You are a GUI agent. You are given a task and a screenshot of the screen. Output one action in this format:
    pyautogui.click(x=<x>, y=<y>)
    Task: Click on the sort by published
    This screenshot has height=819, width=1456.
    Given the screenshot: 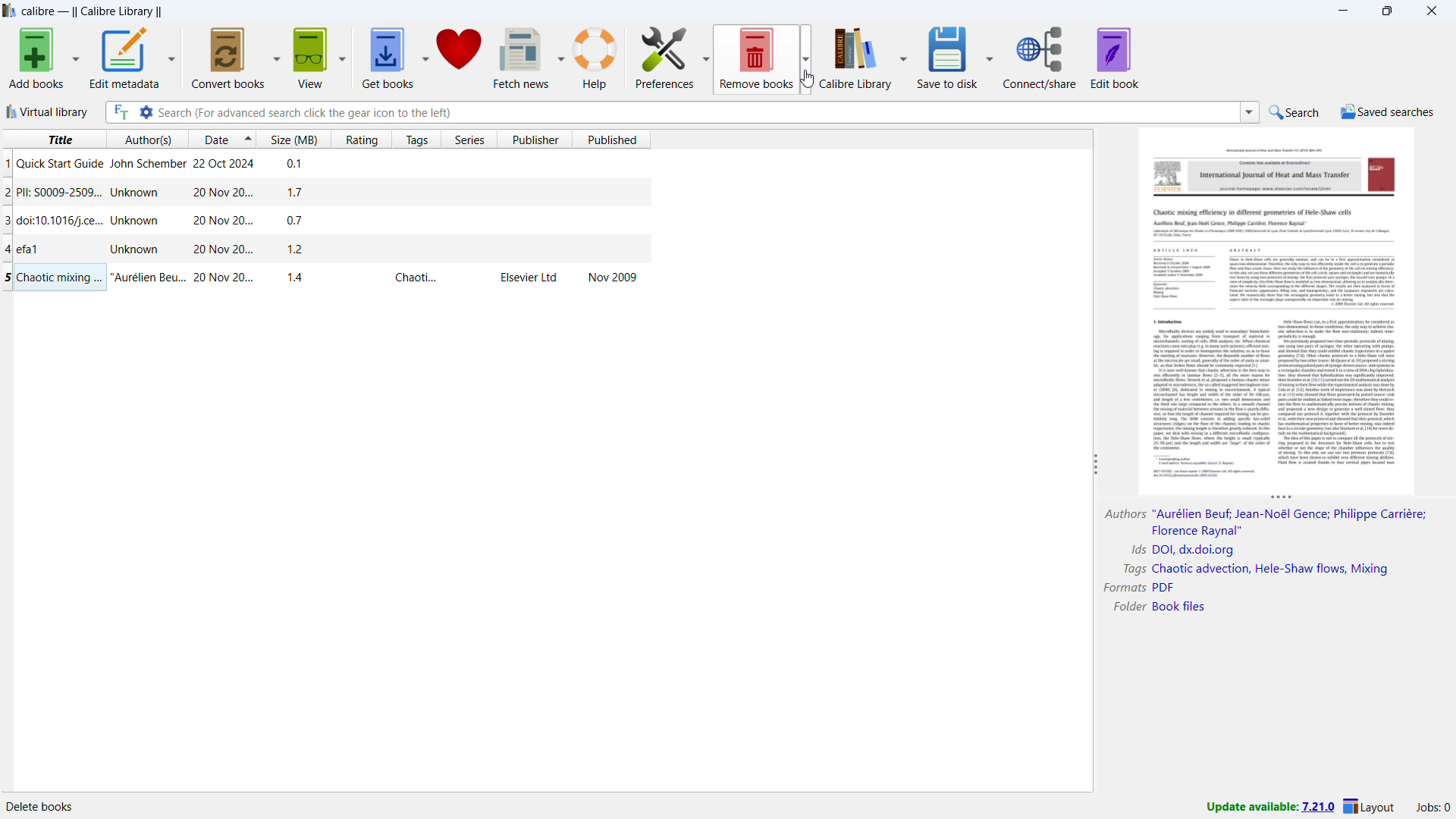 What is the action you would take?
    pyautogui.click(x=610, y=140)
    